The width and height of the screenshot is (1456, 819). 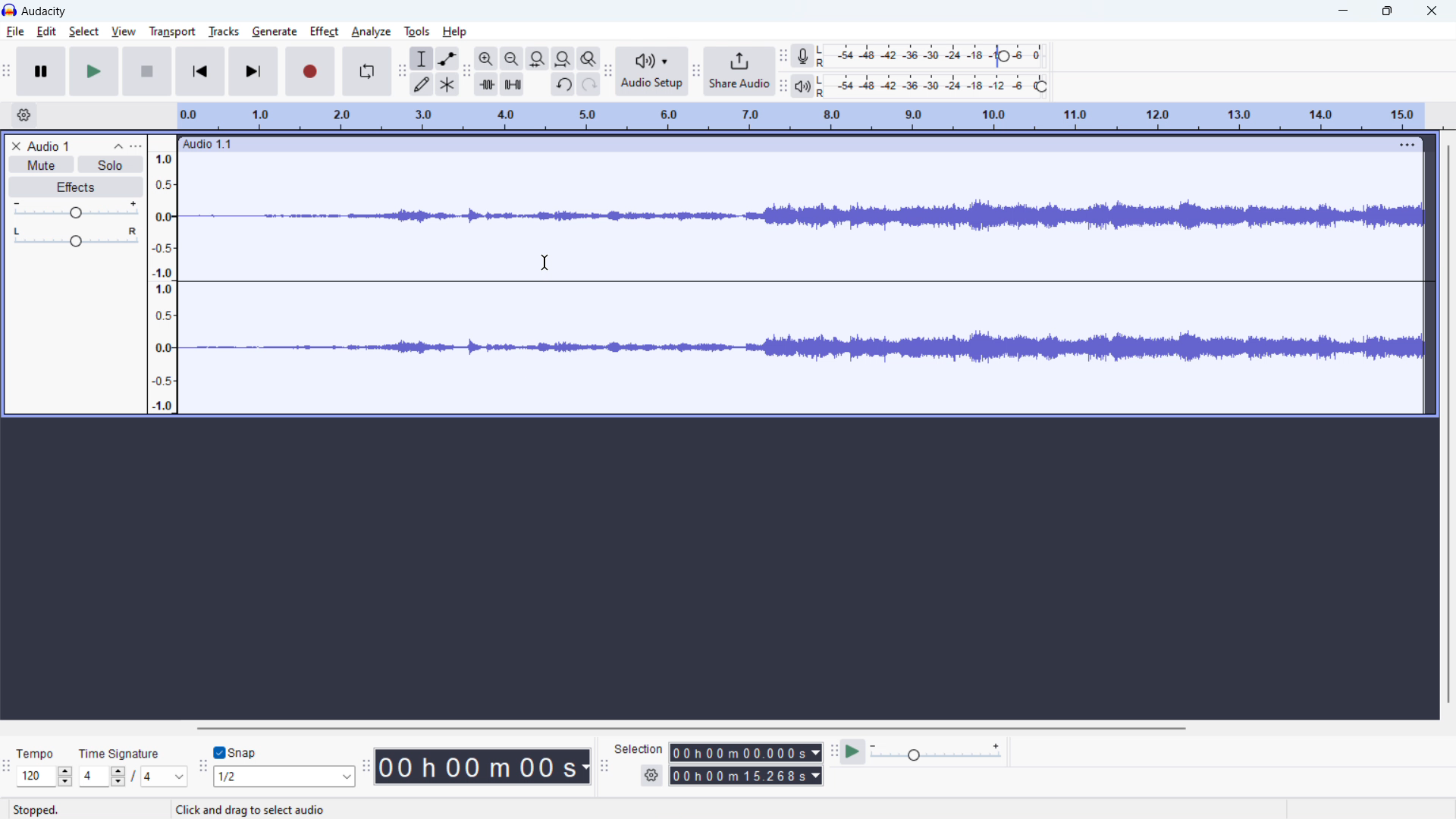 I want to click on transport toolbar, so click(x=8, y=70).